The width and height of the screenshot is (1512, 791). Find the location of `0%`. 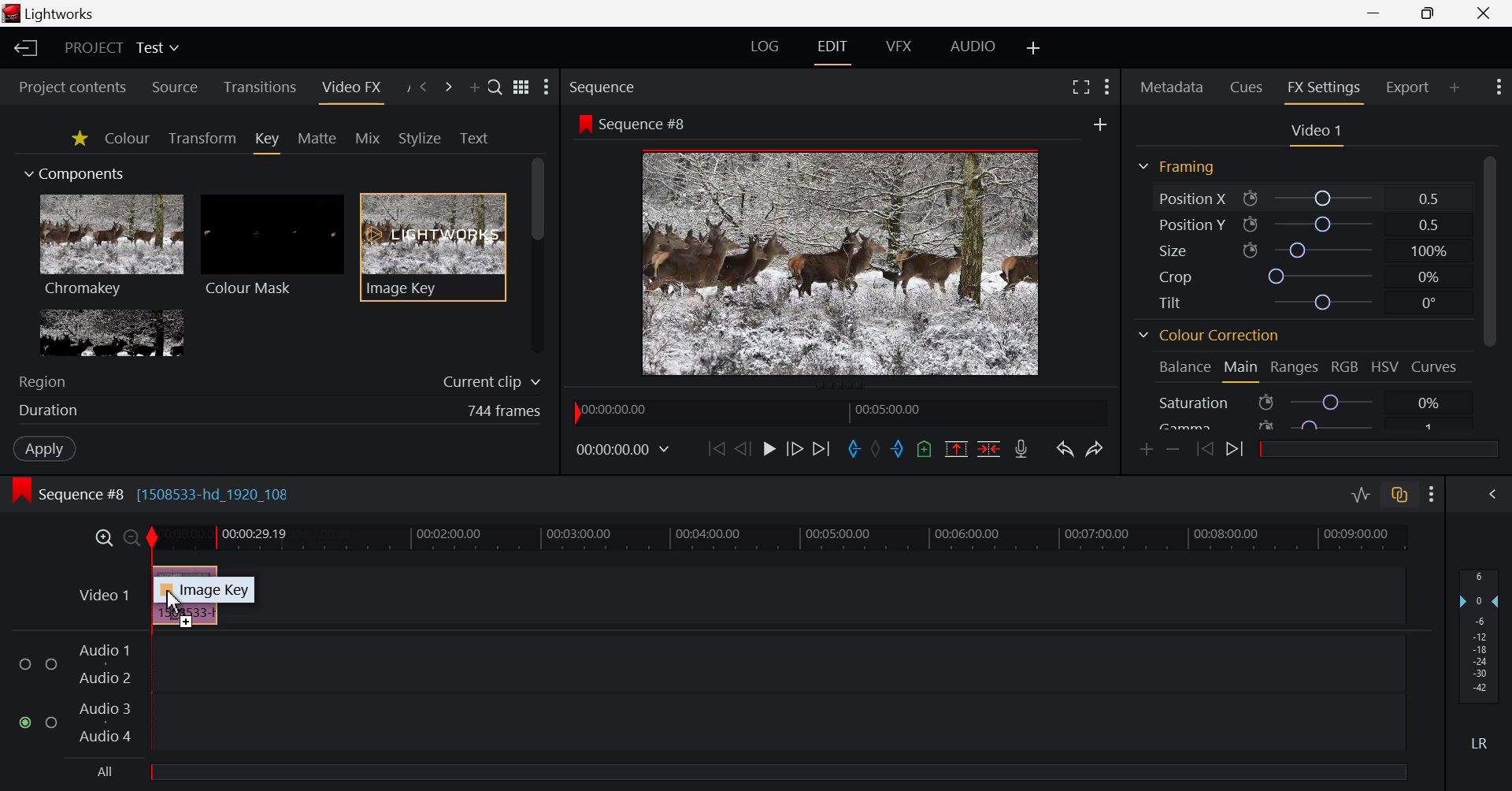

0% is located at coordinates (1432, 404).